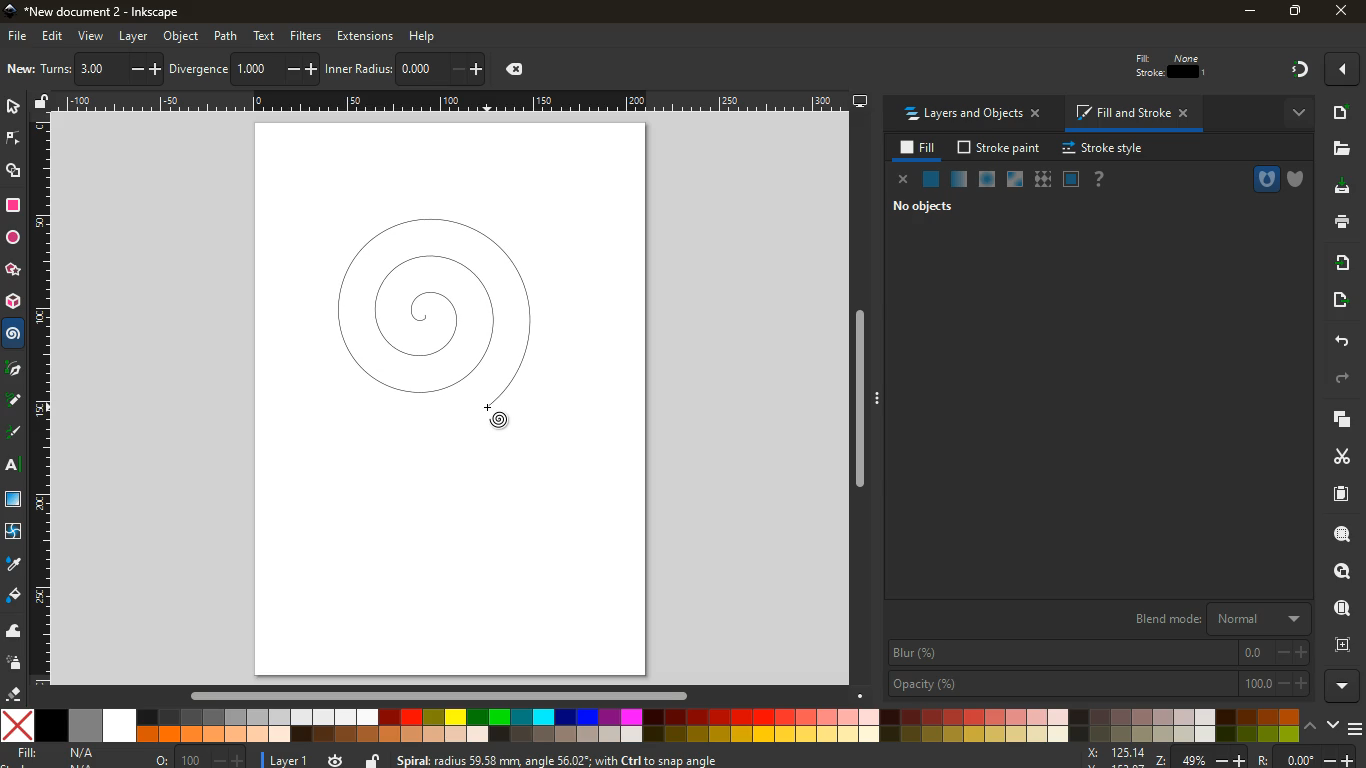  What do you see at coordinates (60, 755) in the screenshot?
I see `fill` at bounding box center [60, 755].